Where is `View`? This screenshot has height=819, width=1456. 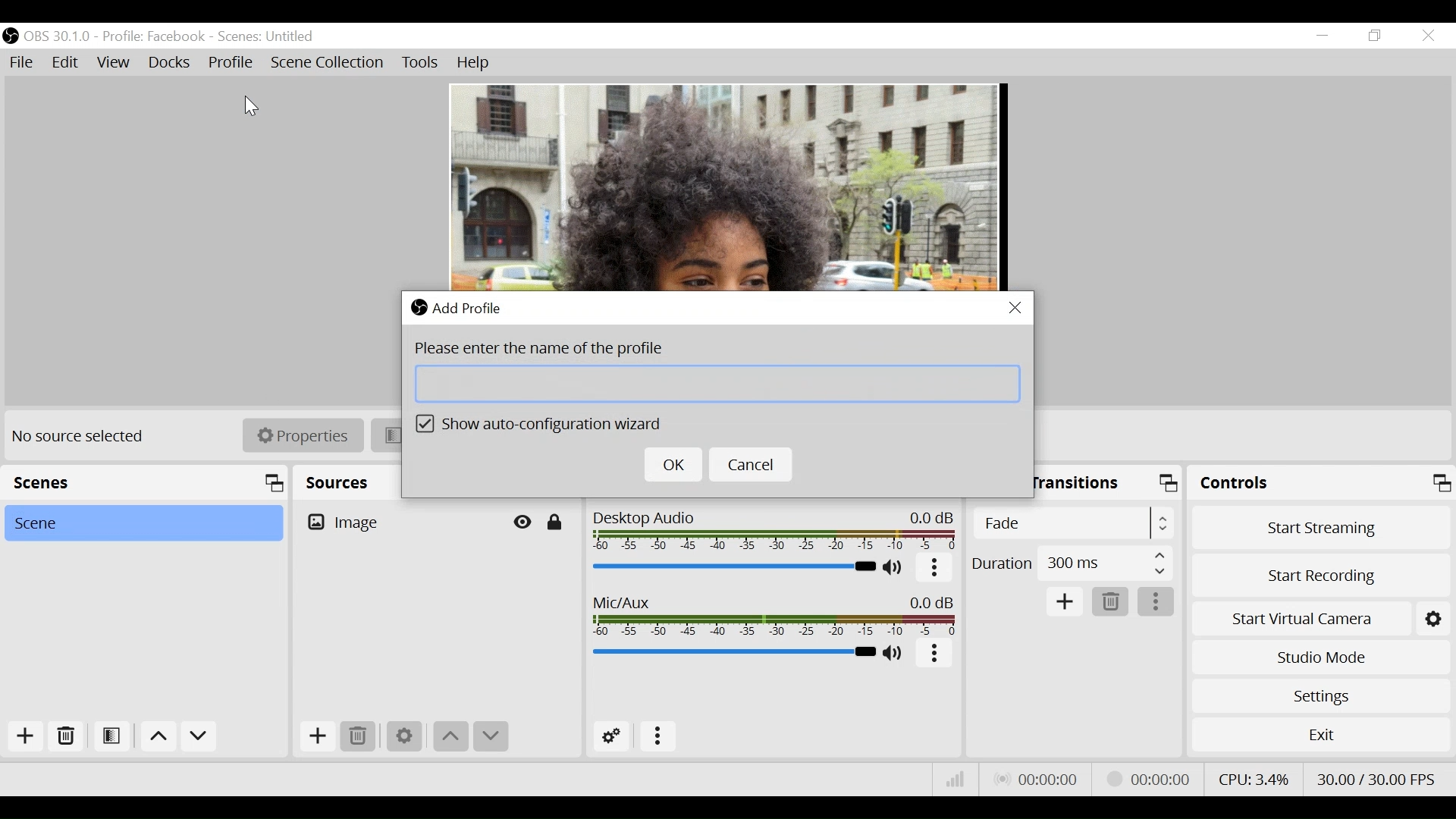 View is located at coordinates (115, 63).